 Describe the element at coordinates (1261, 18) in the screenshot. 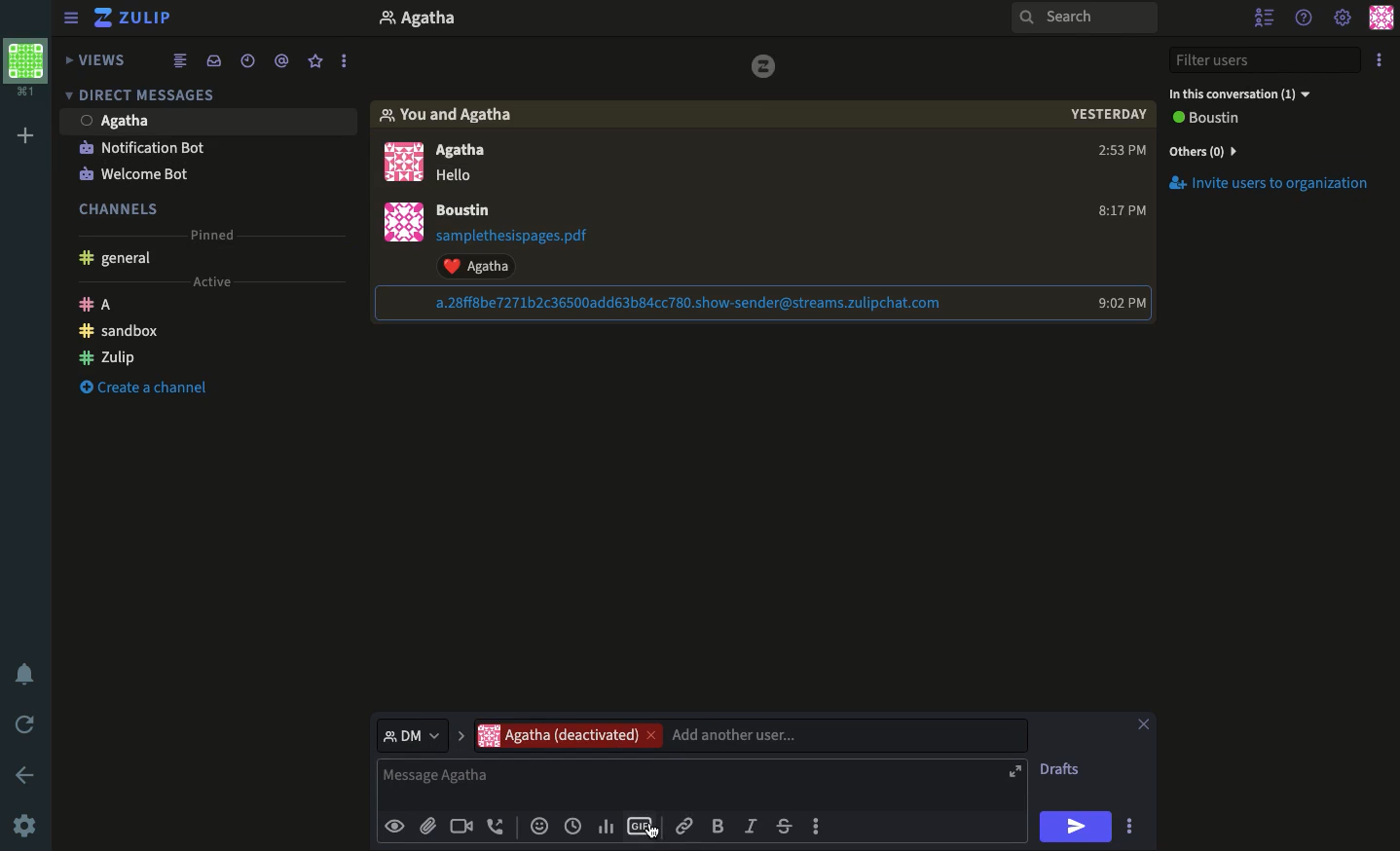

I see `Hide user list` at that location.